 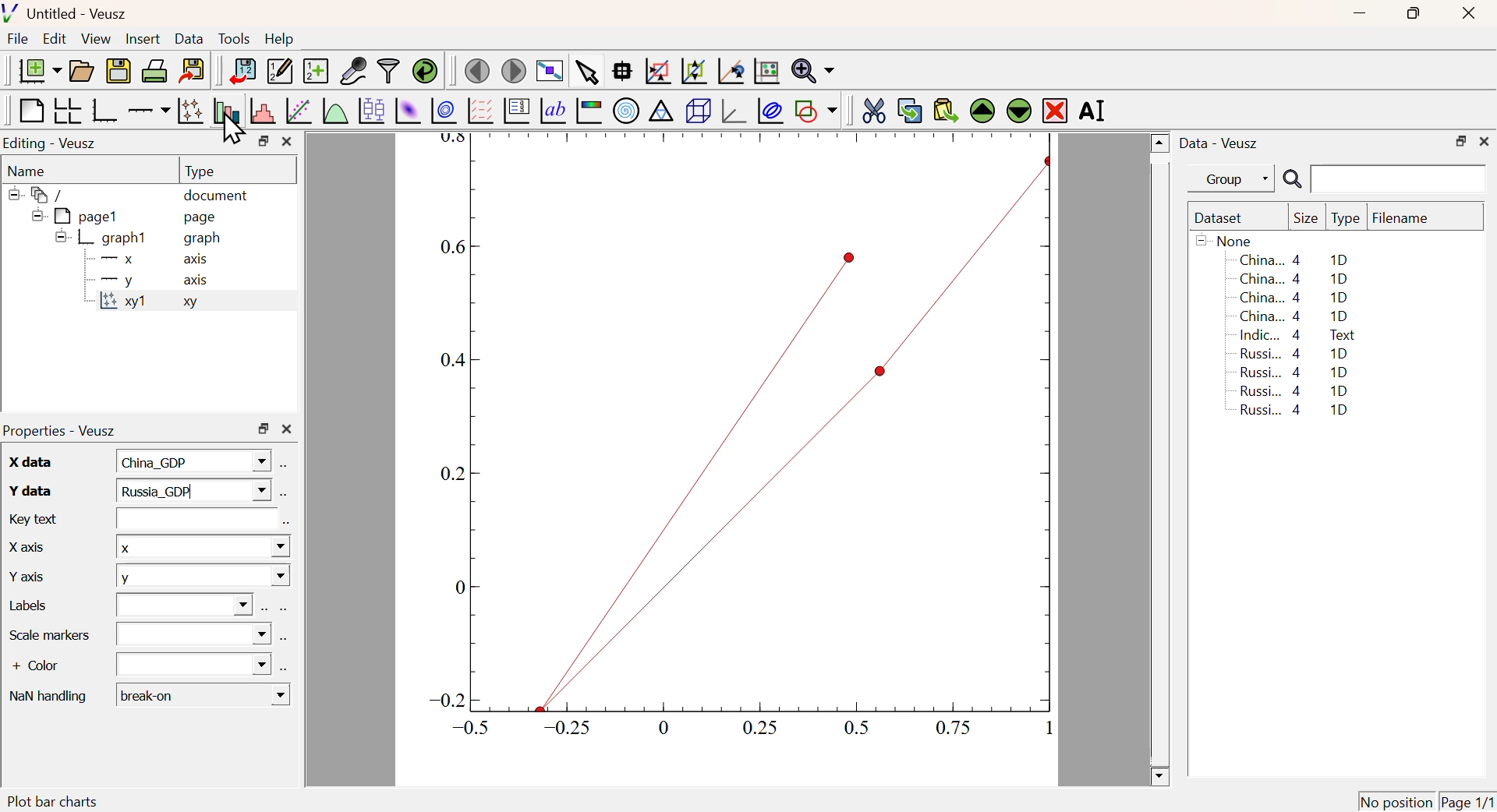 What do you see at coordinates (217, 197) in the screenshot?
I see `document` at bounding box center [217, 197].